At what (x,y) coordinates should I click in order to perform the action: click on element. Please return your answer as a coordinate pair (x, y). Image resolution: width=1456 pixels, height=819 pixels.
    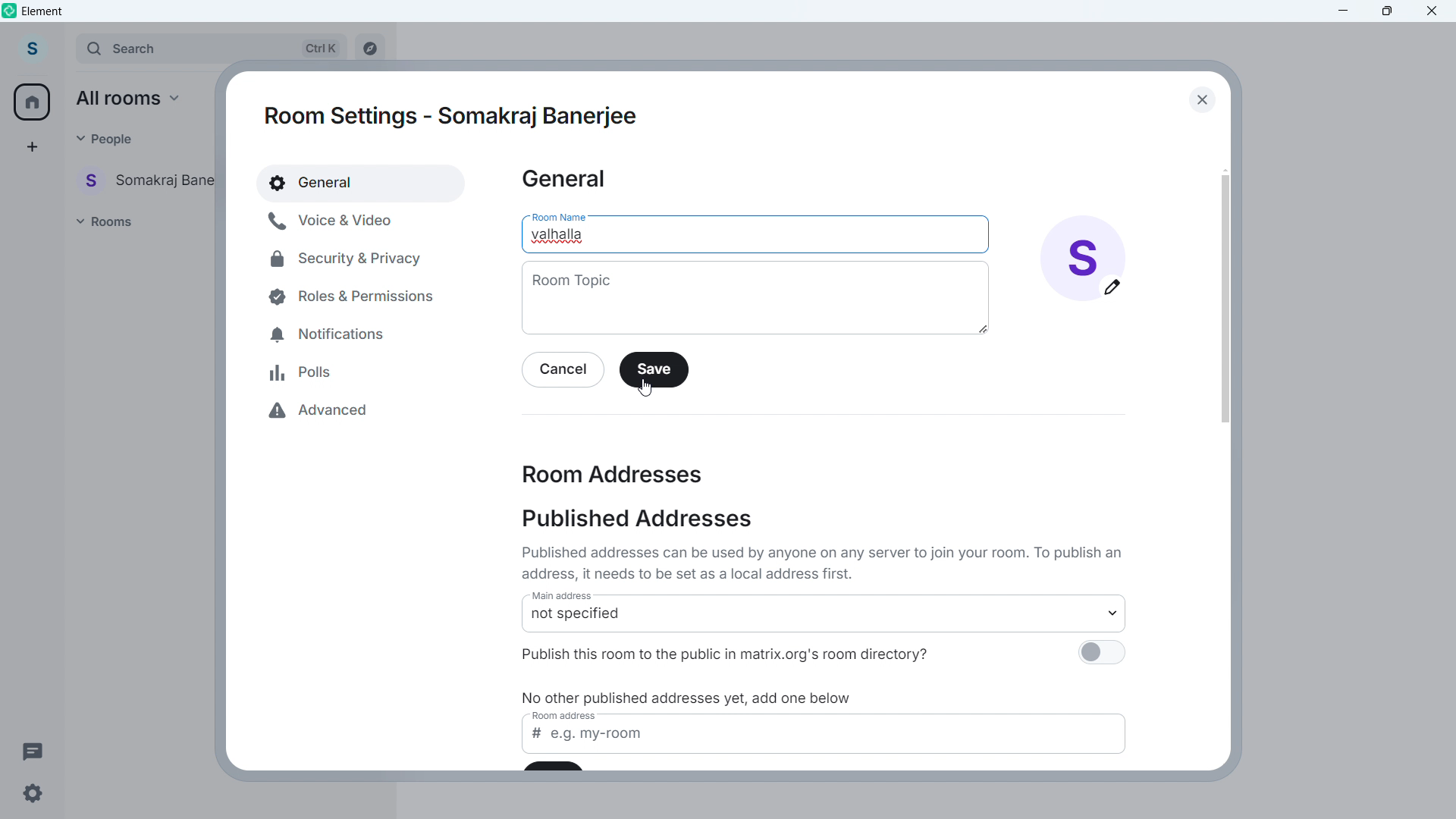
    Looking at the image, I should click on (42, 11).